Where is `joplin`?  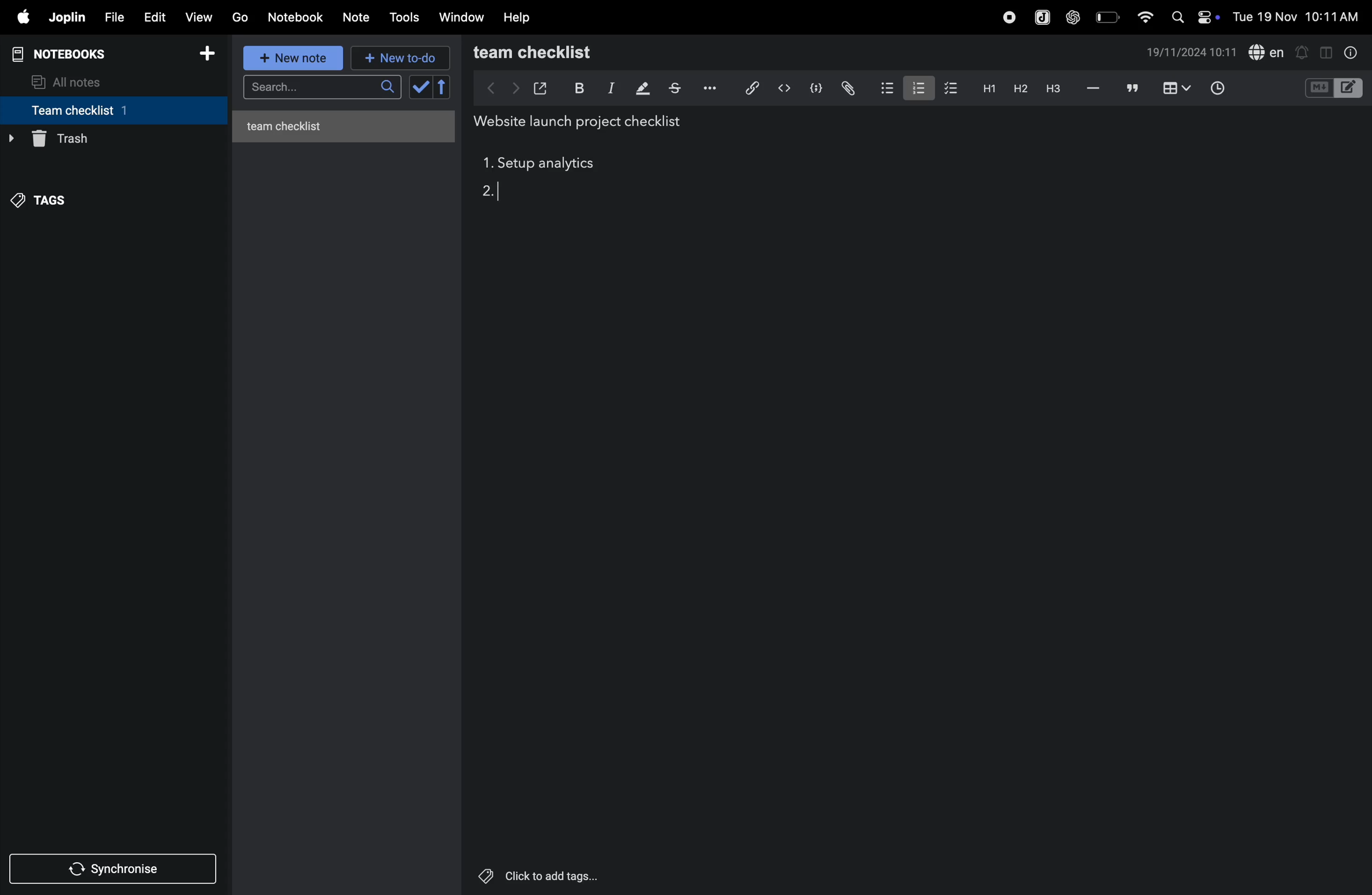 joplin is located at coordinates (68, 18).